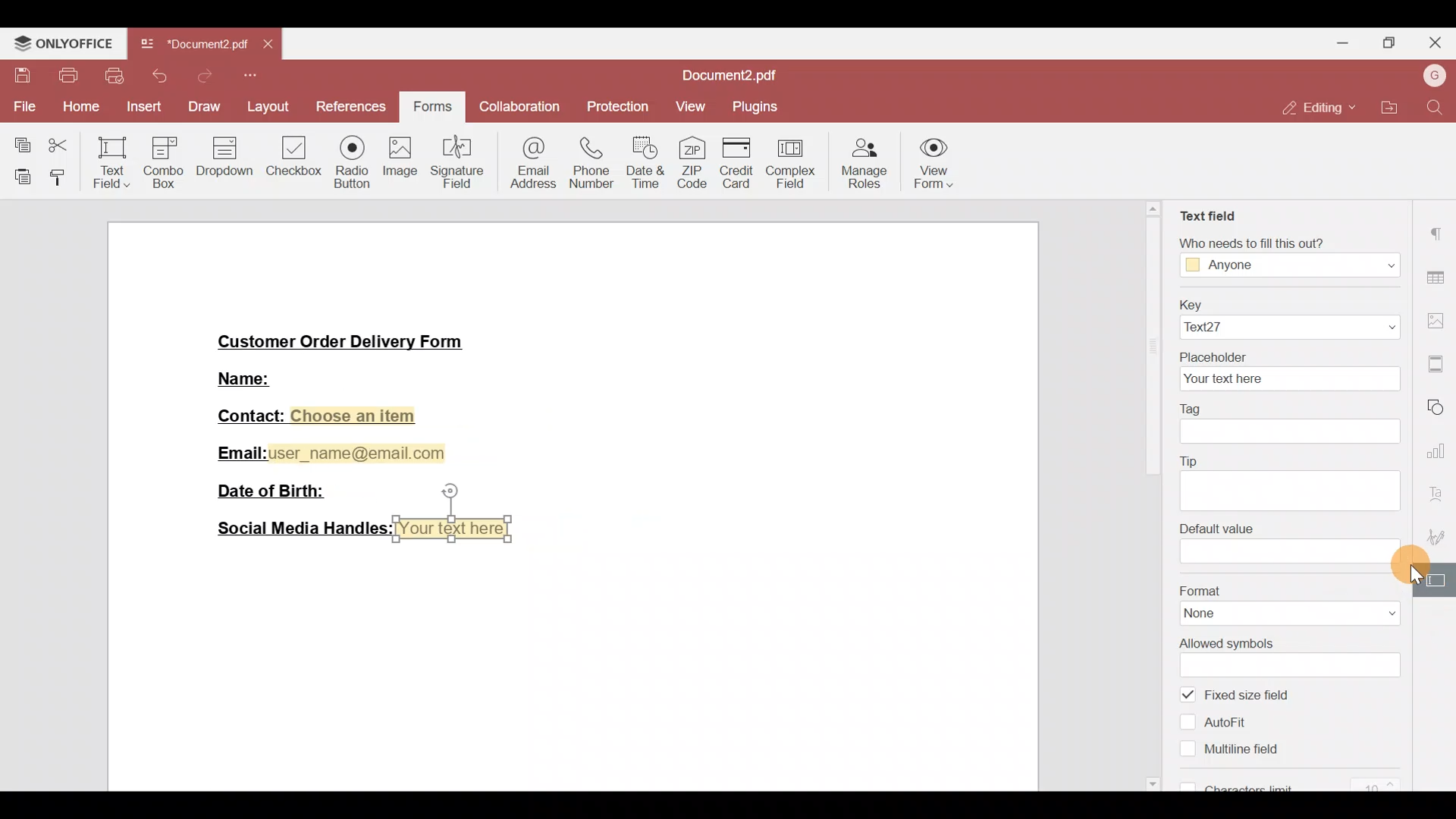  Describe the element at coordinates (572, 664) in the screenshot. I see `Working area` at that location.